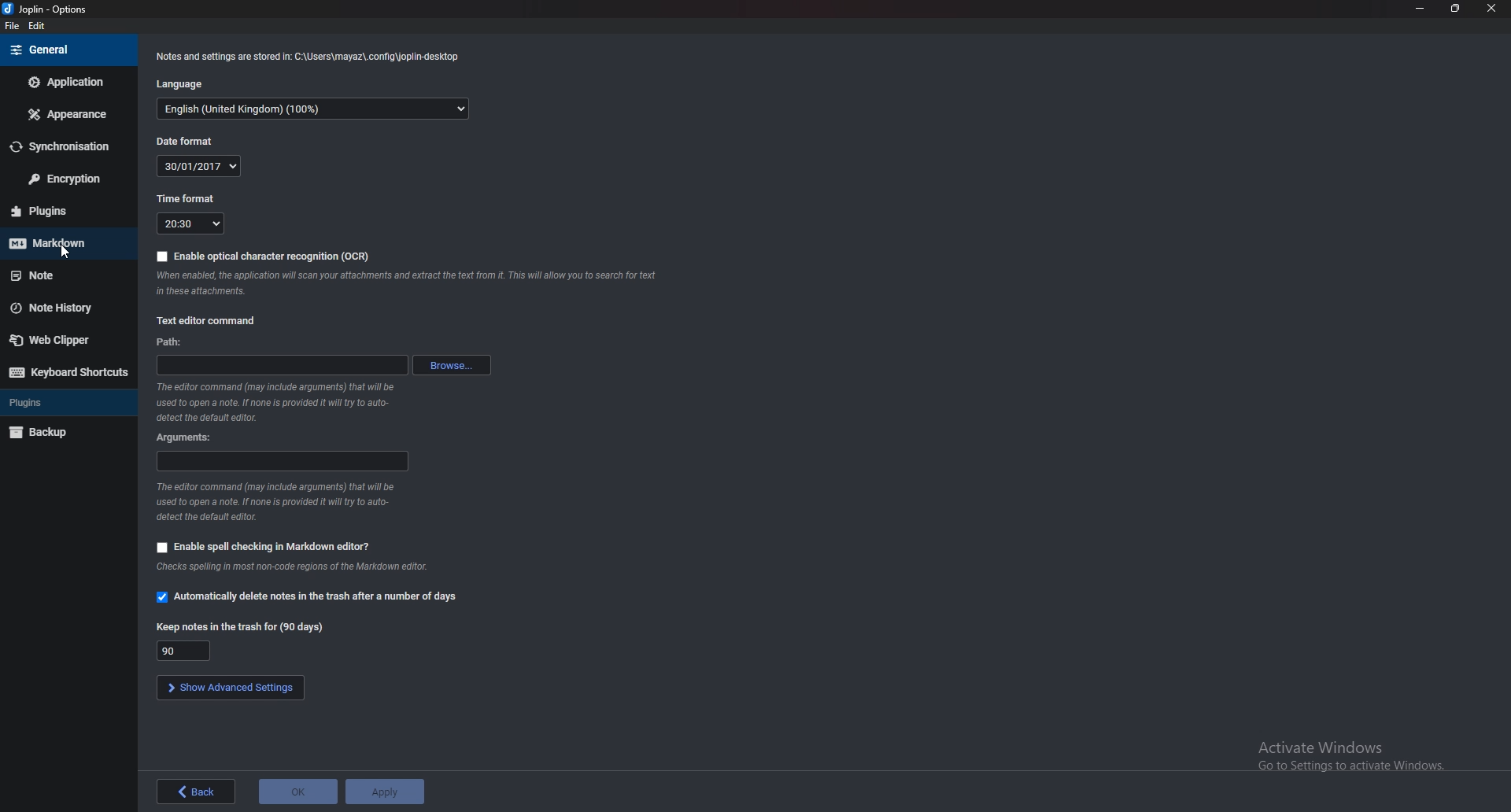  Describe the element at coordinates (277, 501) in the screenshot. I see `The editor command that will be used to open a note. If none is provided it will try to auto-detect the default editor.` at that location.